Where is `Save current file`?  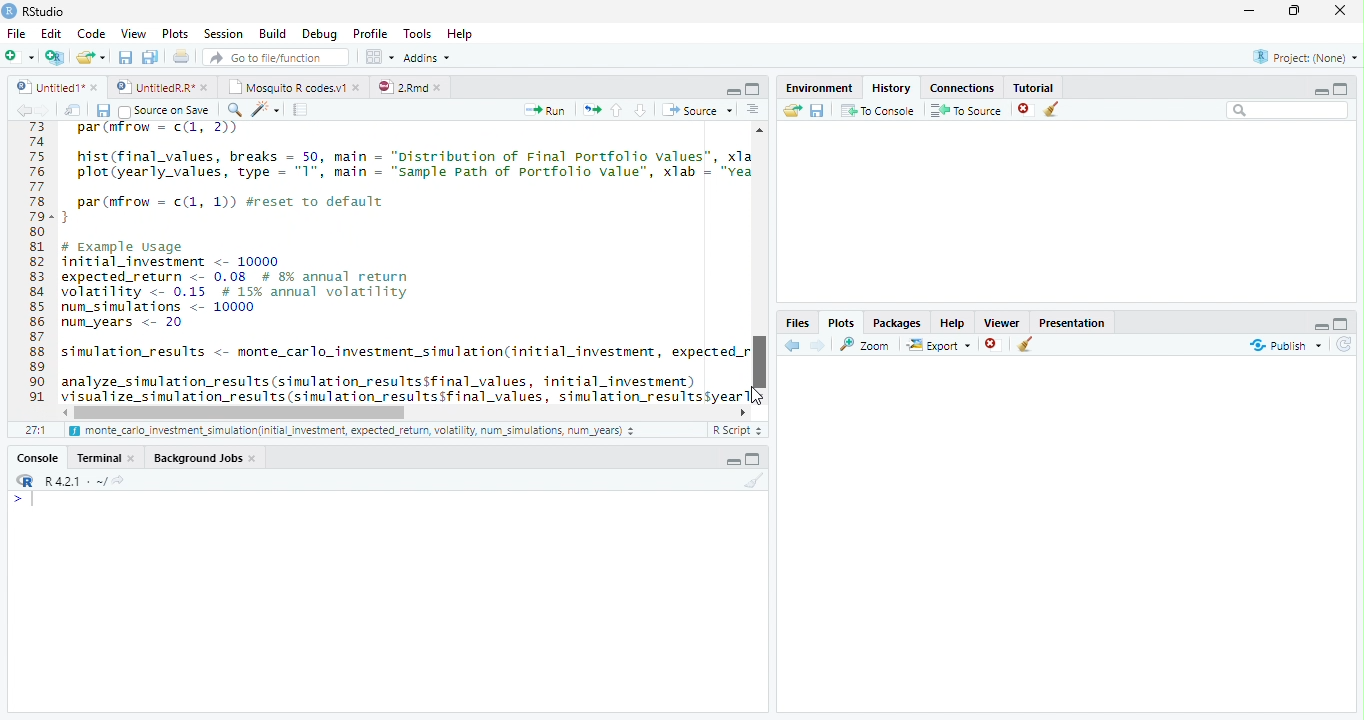
Save current file is located at coordinates (124, 57).